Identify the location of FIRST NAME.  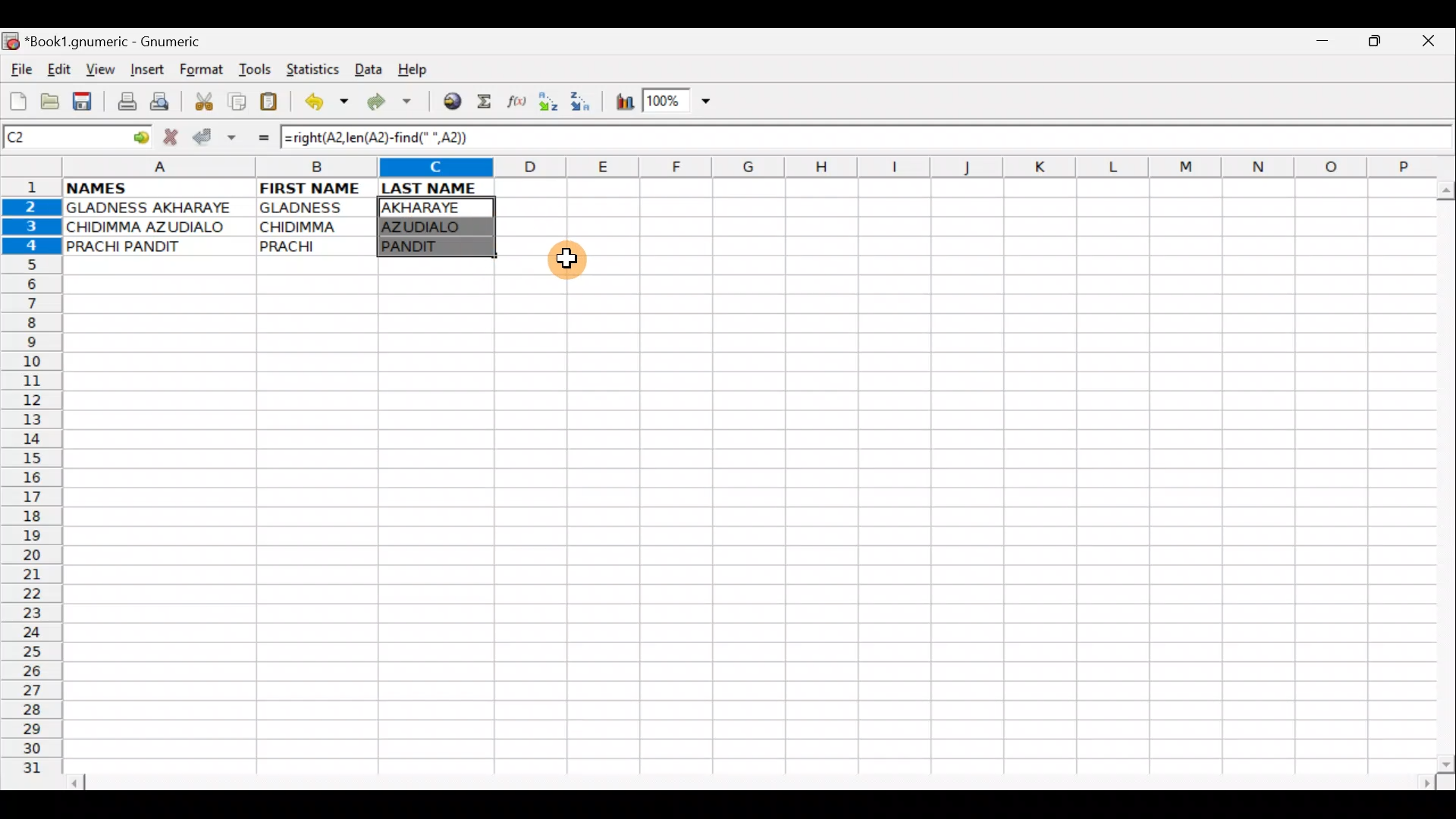
(312, 187).